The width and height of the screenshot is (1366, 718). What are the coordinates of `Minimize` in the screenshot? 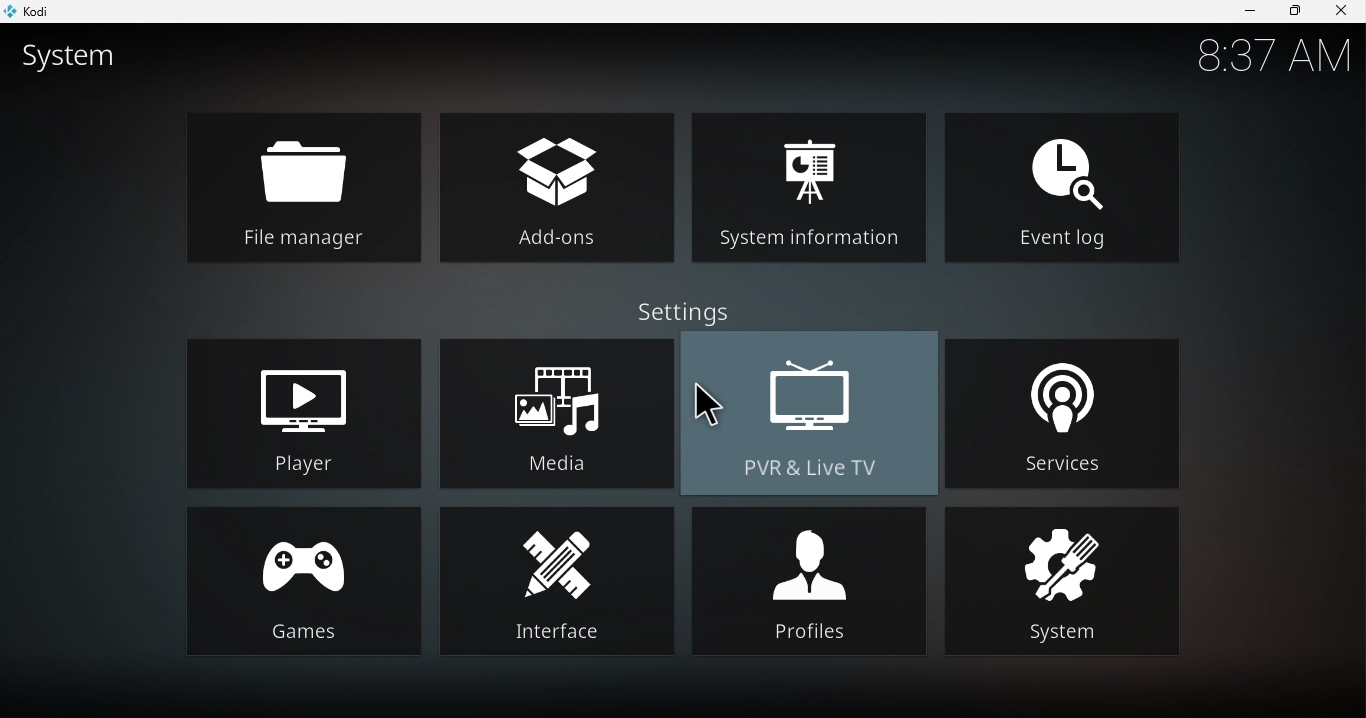 It's located at (1249, 13).